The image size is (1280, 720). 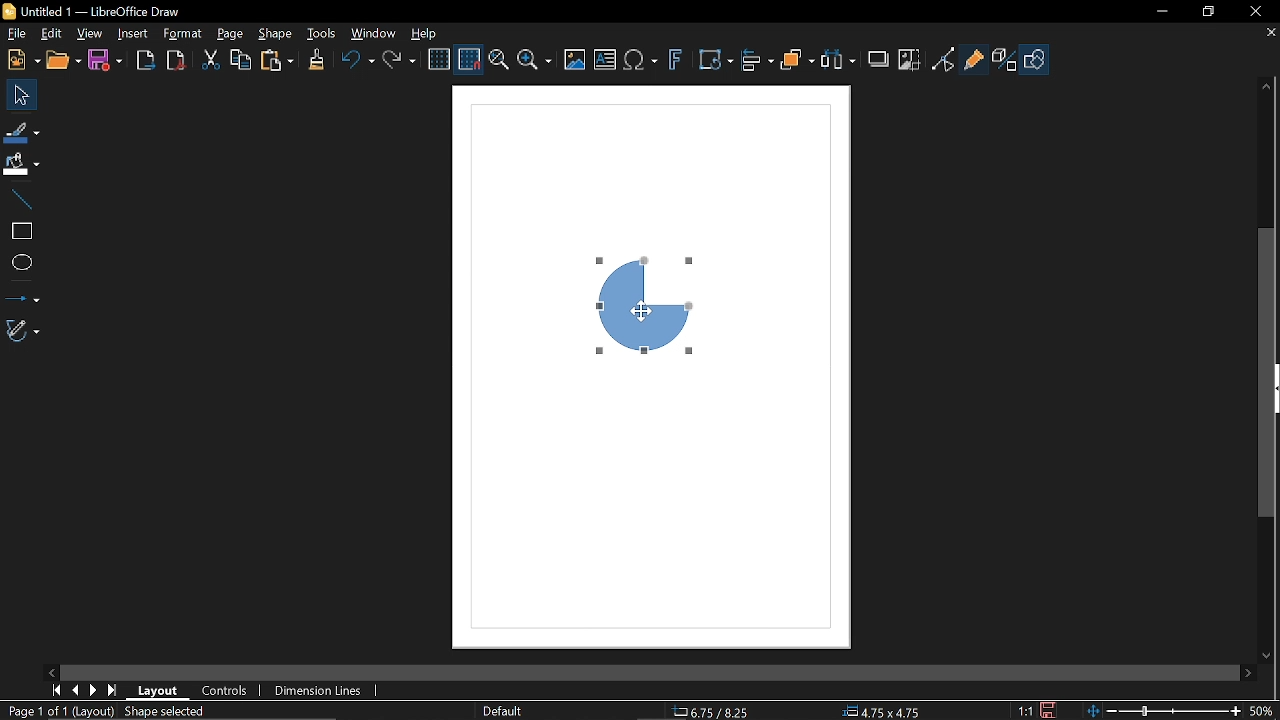 I want to click on Page 1 of 1 (Layout), so click(x=58, y=712).